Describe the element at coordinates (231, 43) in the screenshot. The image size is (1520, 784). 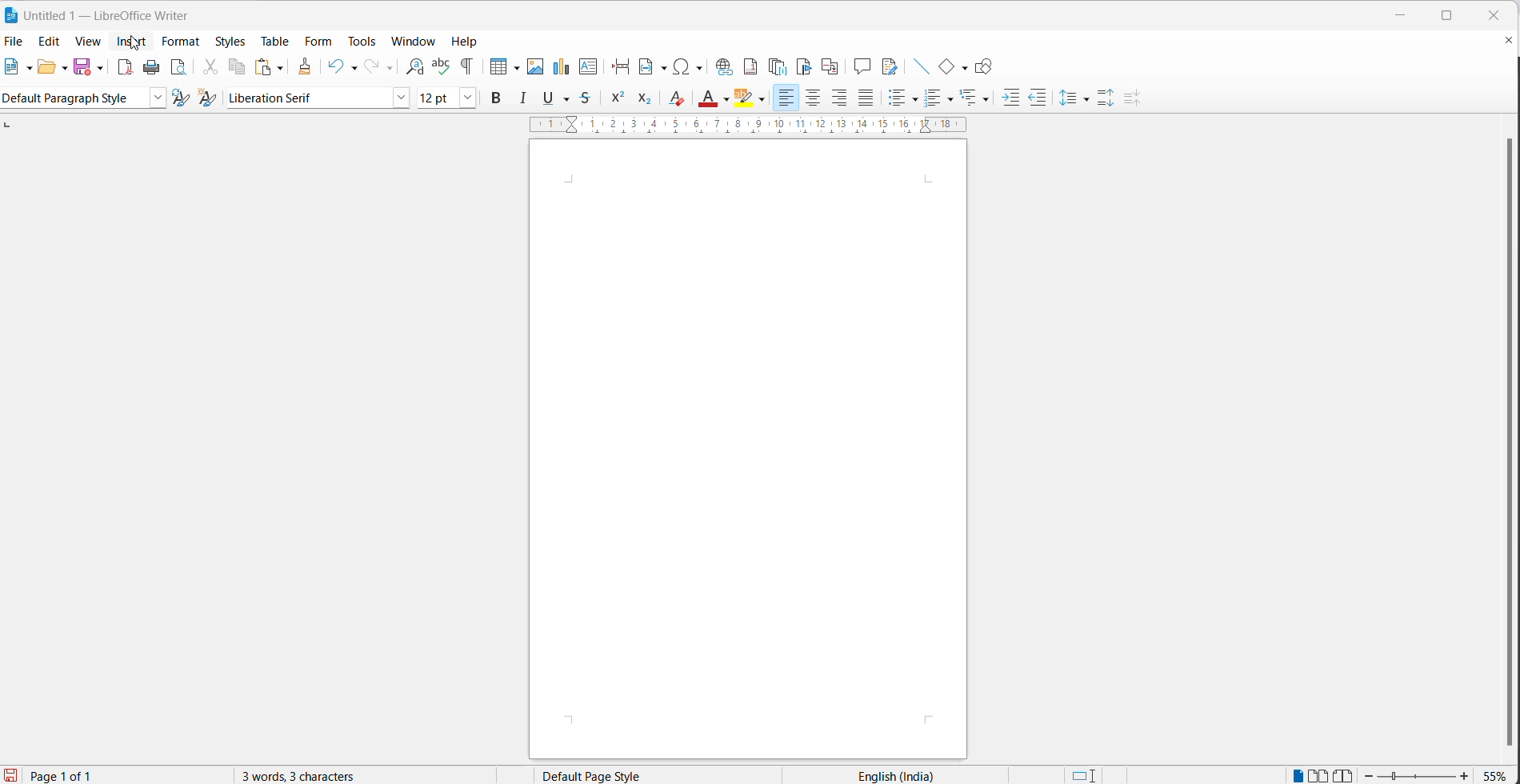
I see `styles` at that location.